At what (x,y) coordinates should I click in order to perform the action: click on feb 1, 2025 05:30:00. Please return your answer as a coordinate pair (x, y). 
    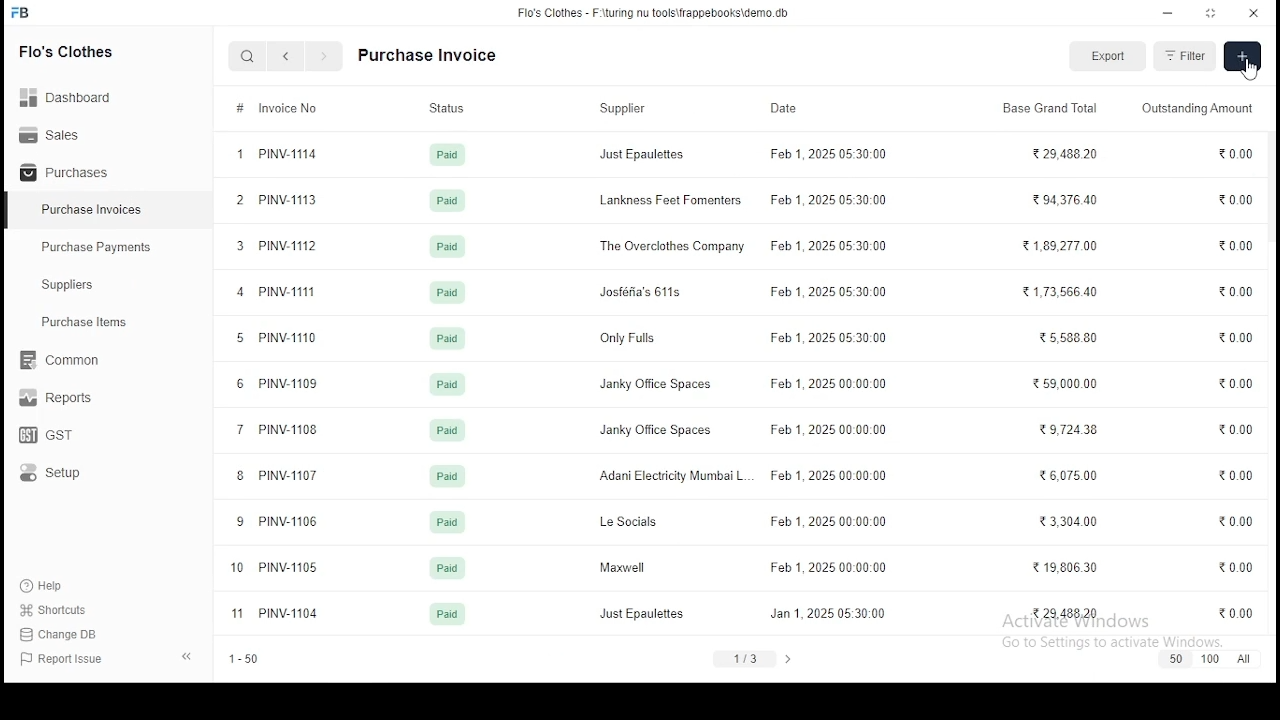
    Looking at the image, I should click on (829, 382).